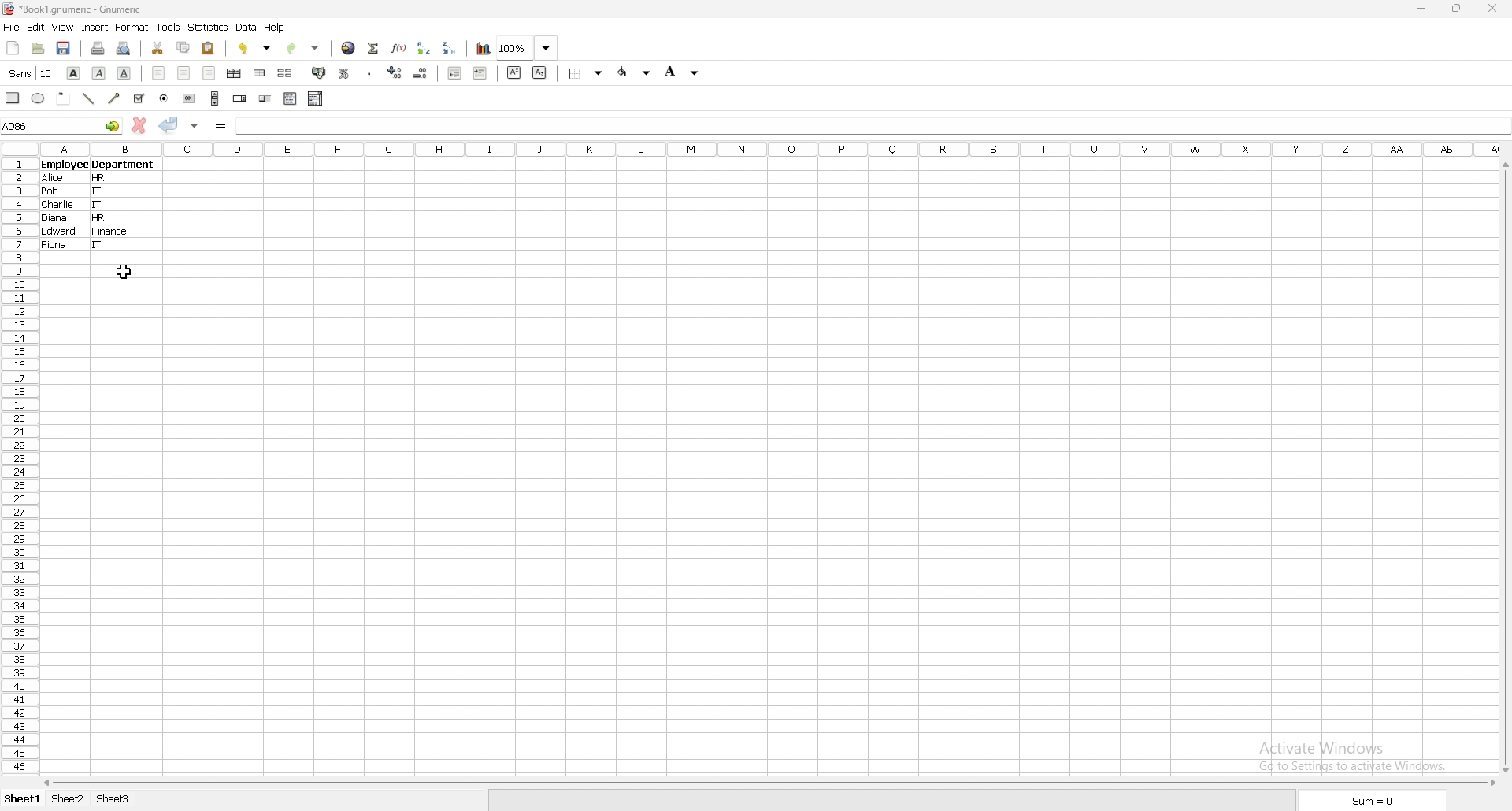 The width and height of the screenshot is (1512, 811). Describe the element at coordinates (586, 73) in the screenshot. I see `border` at that location.